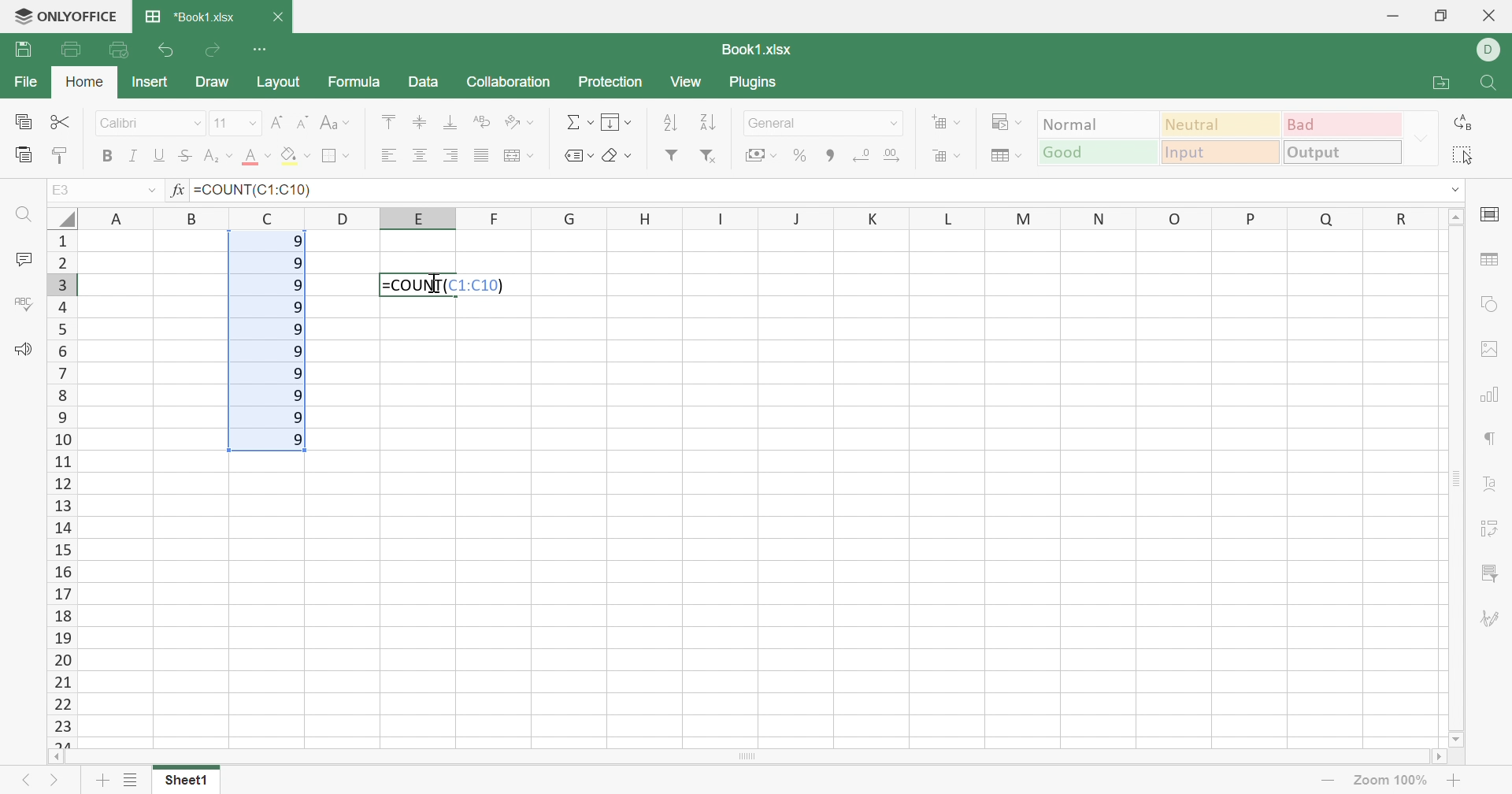  What do you see at coordinates (1458, 217) in the screenshot?
I see `Scroll Up` at bounding box center [1458, 217].